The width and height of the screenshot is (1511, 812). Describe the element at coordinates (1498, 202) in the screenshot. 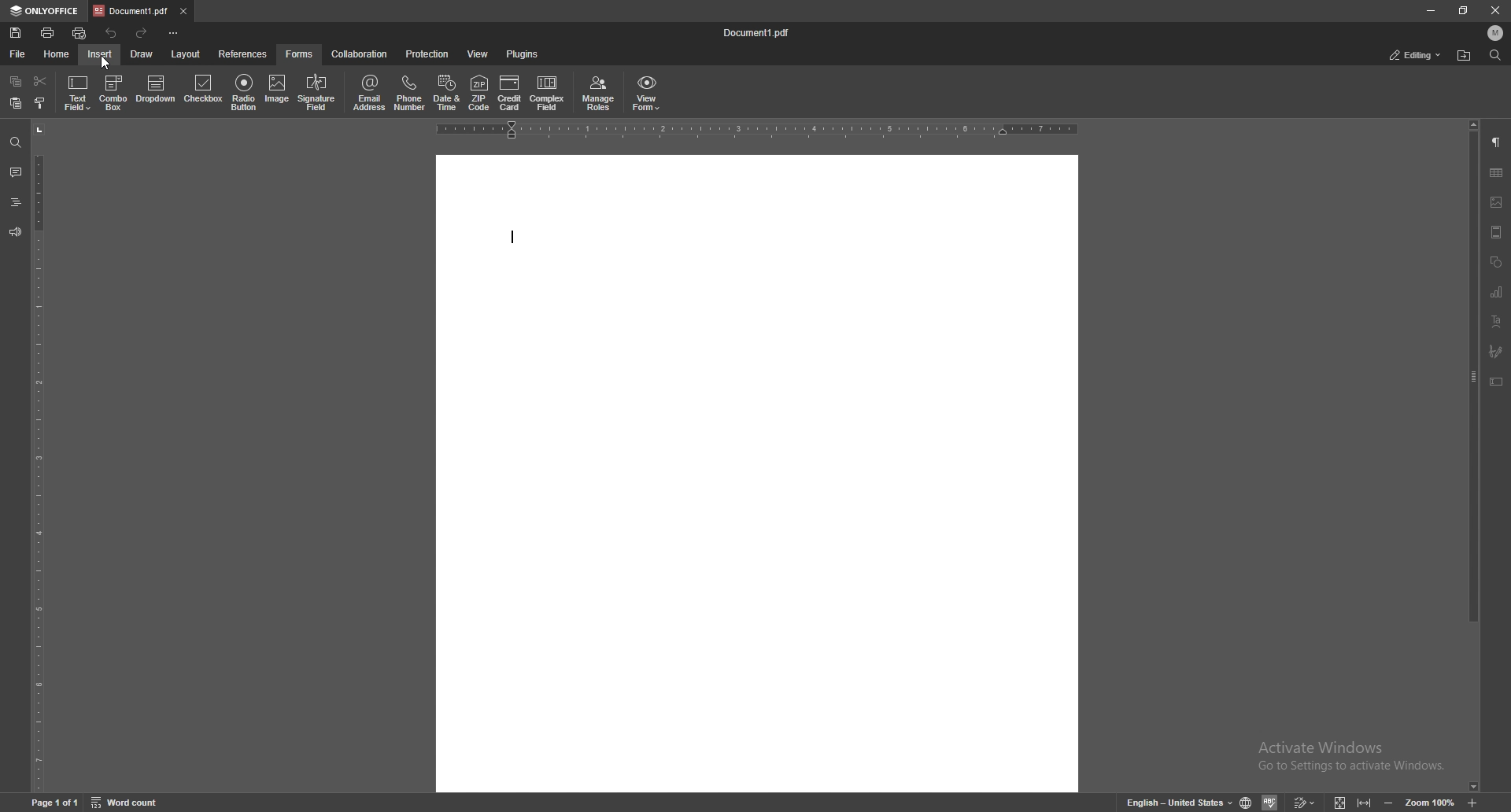

I see `image` at that location.